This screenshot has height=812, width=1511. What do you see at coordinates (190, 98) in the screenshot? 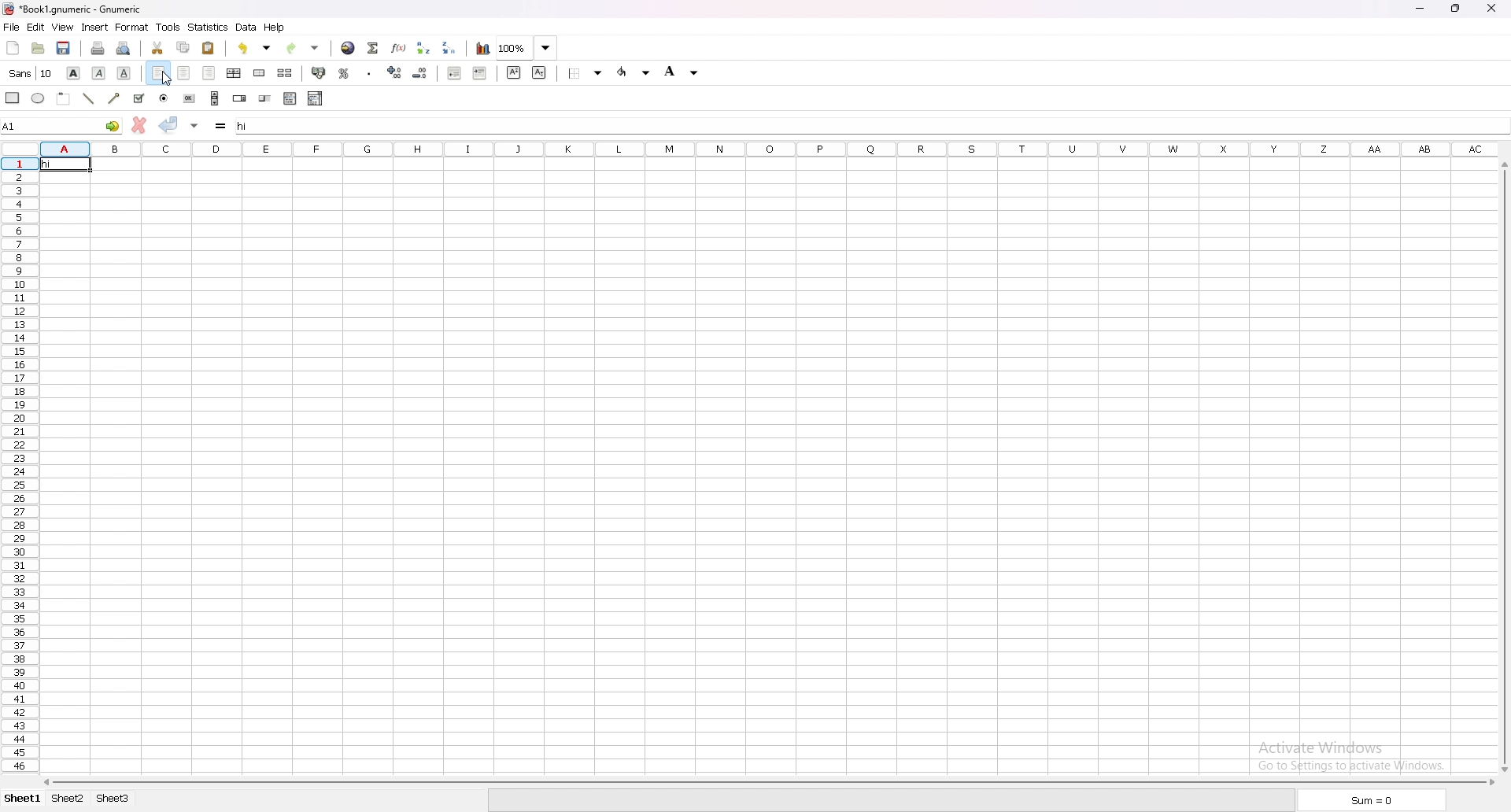
I see `button` at bounding box center [190, 98].